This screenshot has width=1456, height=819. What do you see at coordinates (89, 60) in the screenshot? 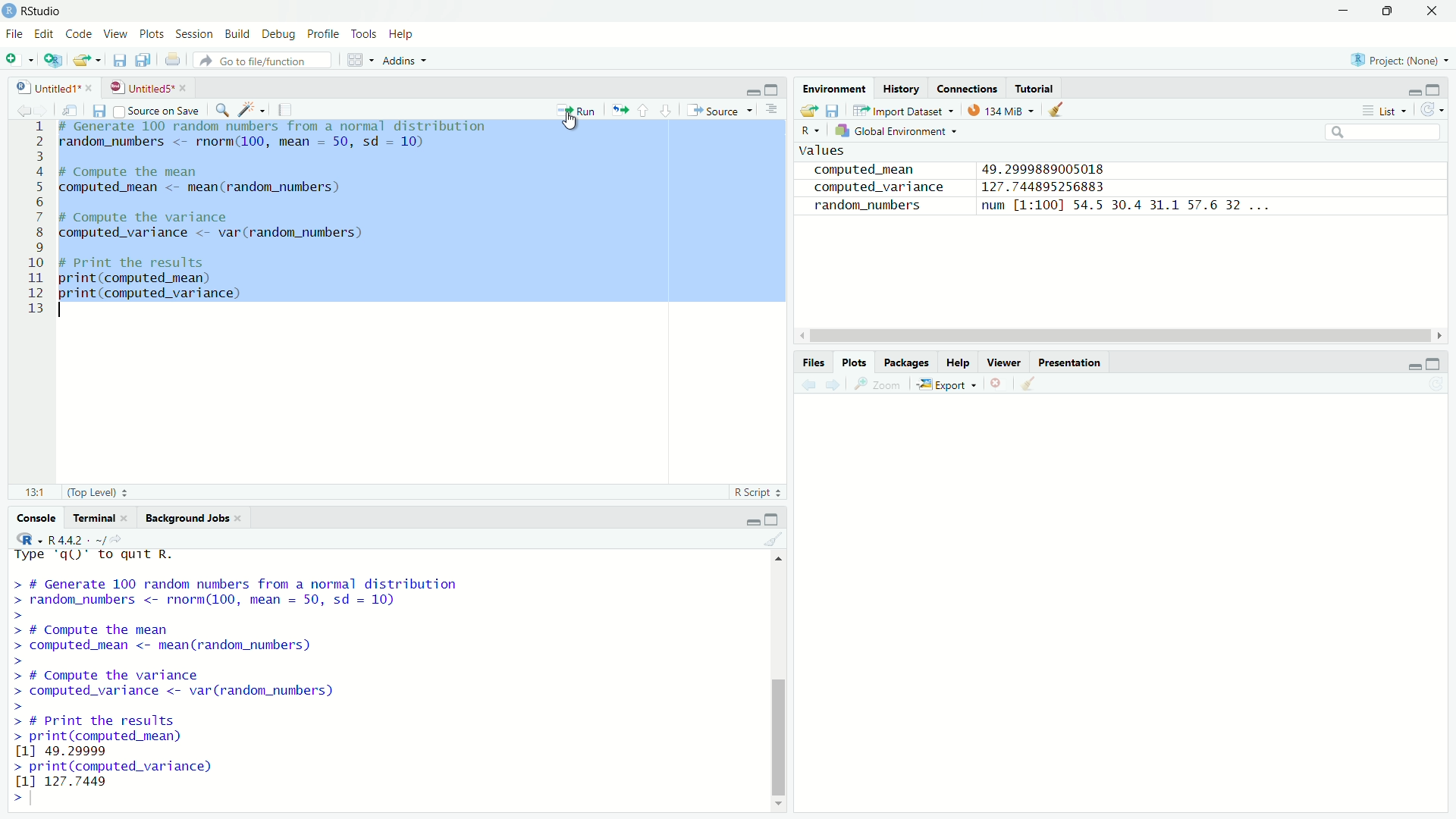
I see `open an existing file` at bounding box center [89, 60].